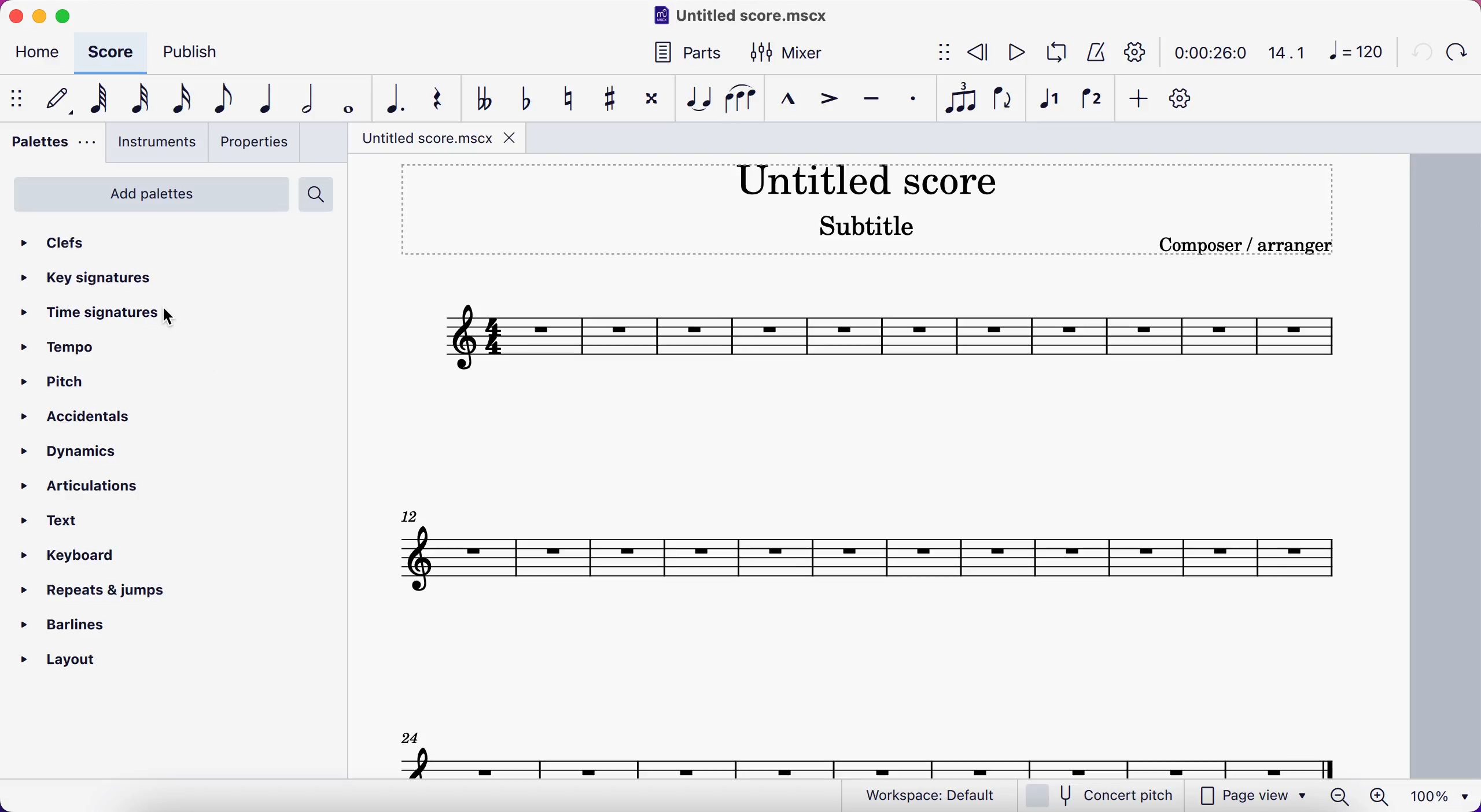  Describe the element at coordinates (196, 54) in the screenshot. I see `publish` at that location.